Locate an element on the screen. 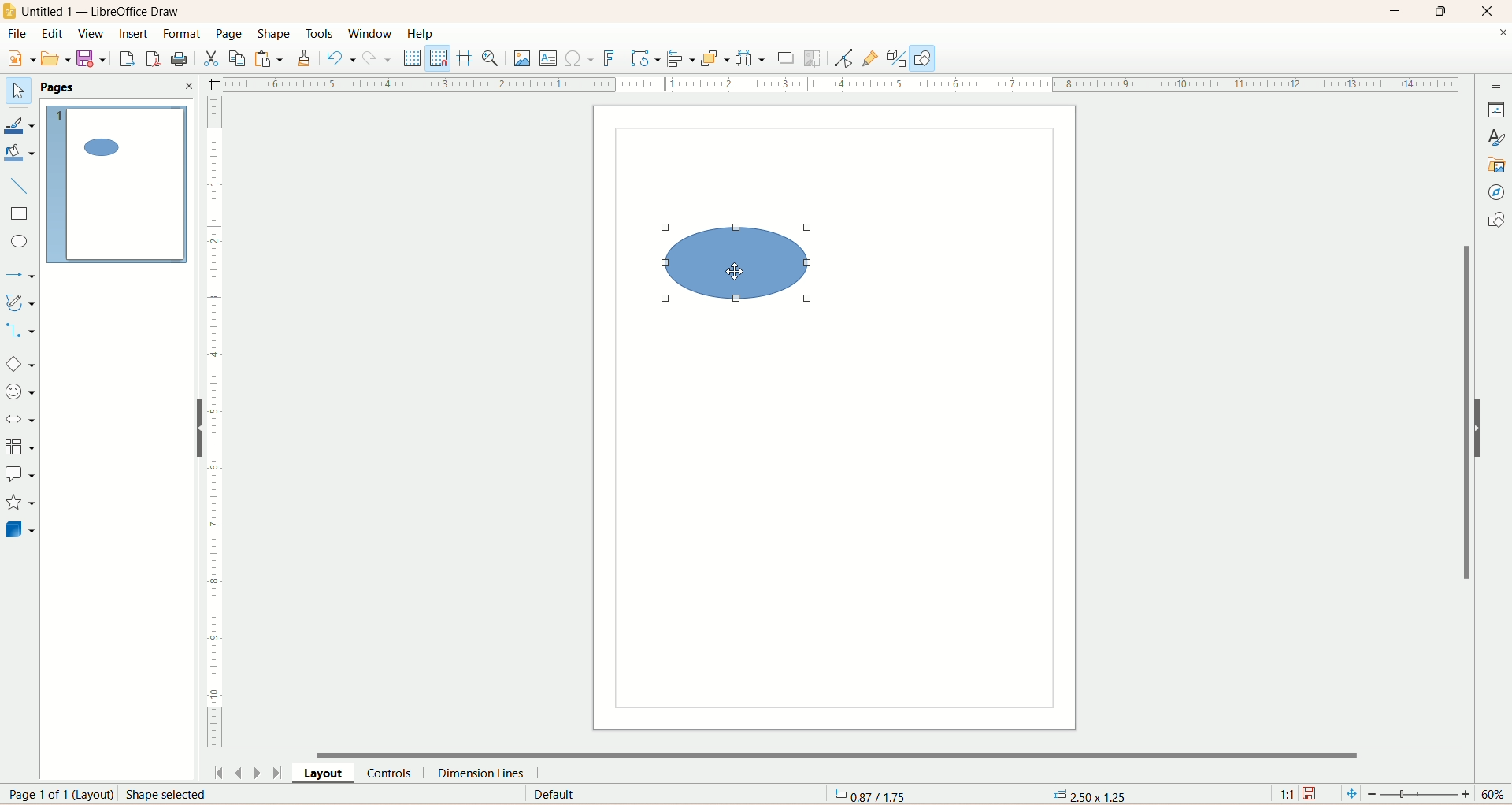 The width and height of the screenshot is (1512, 805). shadow is located at coordinates (784, 60).